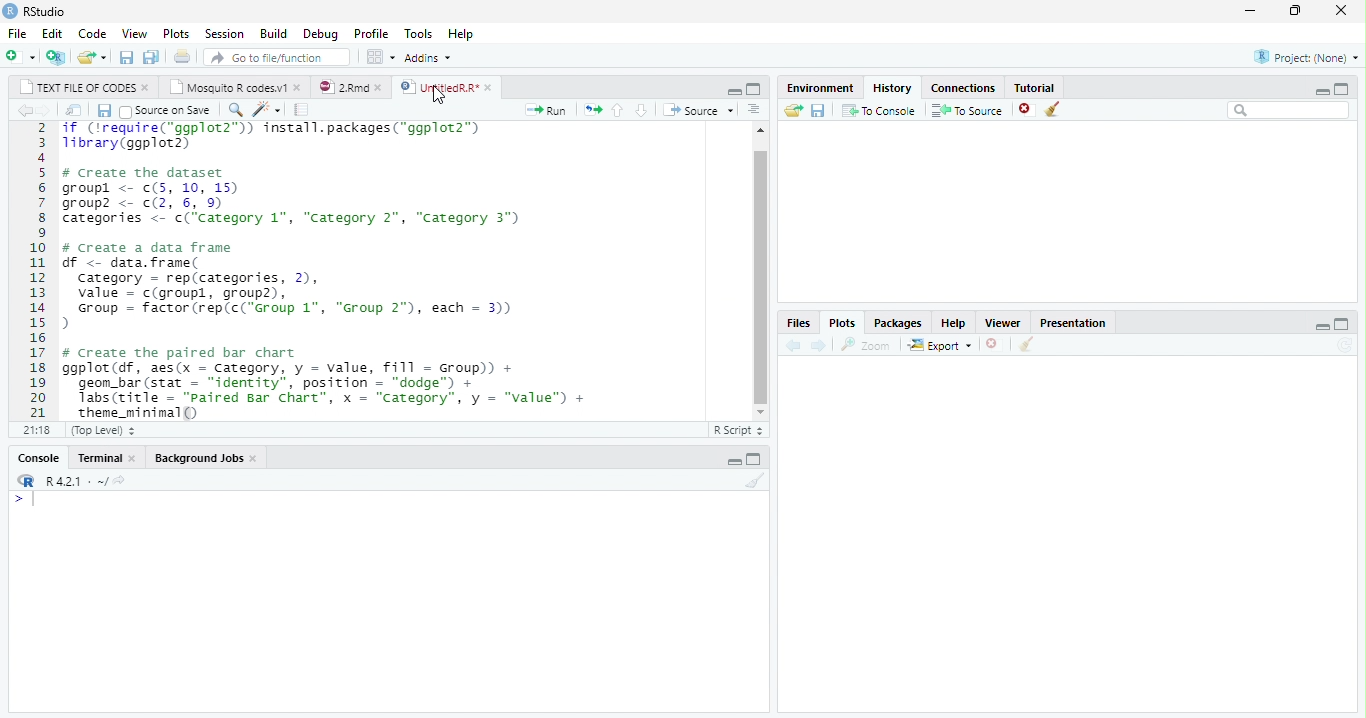 This screenshot has width=1366, height=718. What do you see at coordinates (39, 270) in the screenshot?
I see `2 3 4 5 6 7 8 9 10 11 12 13 14 15 16 17 18 19 20 21` at bounding box center [39, 270].